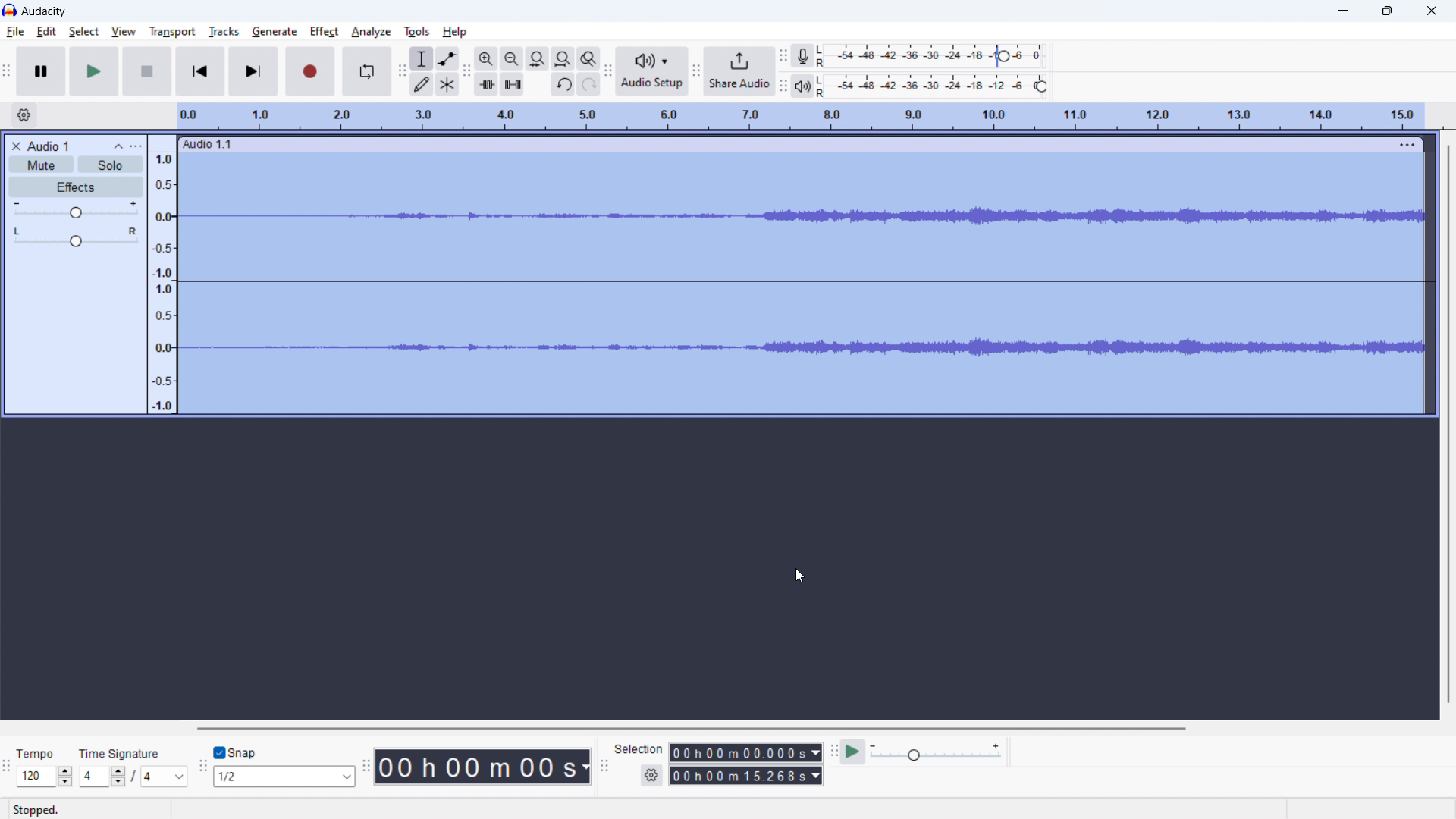 The image size is (1456, 819). I want to click on collapse, so click(117, 146).